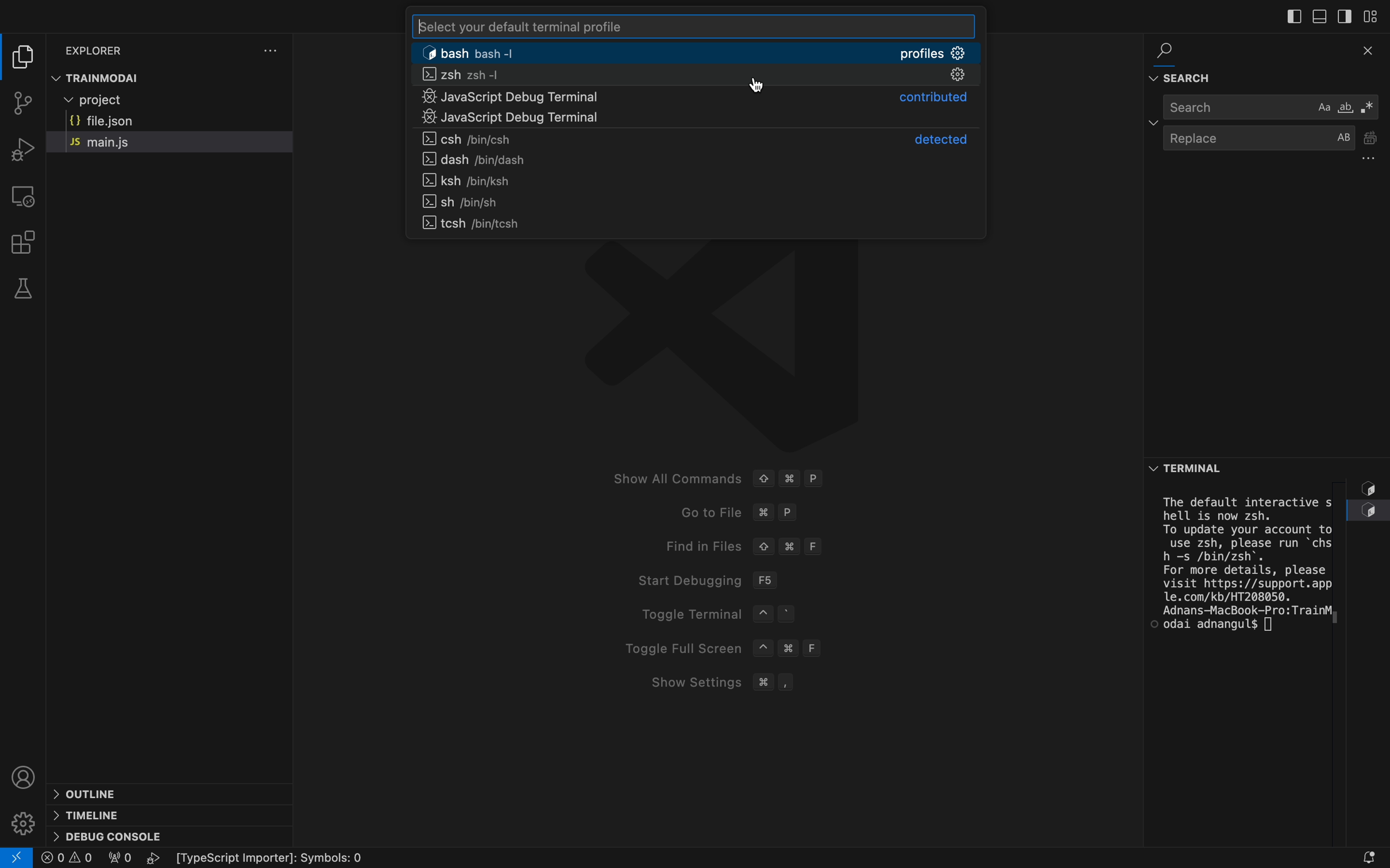 Image resolution: width=1390 pixels, height=868 pixels. I want to click on , so click(692, 99).